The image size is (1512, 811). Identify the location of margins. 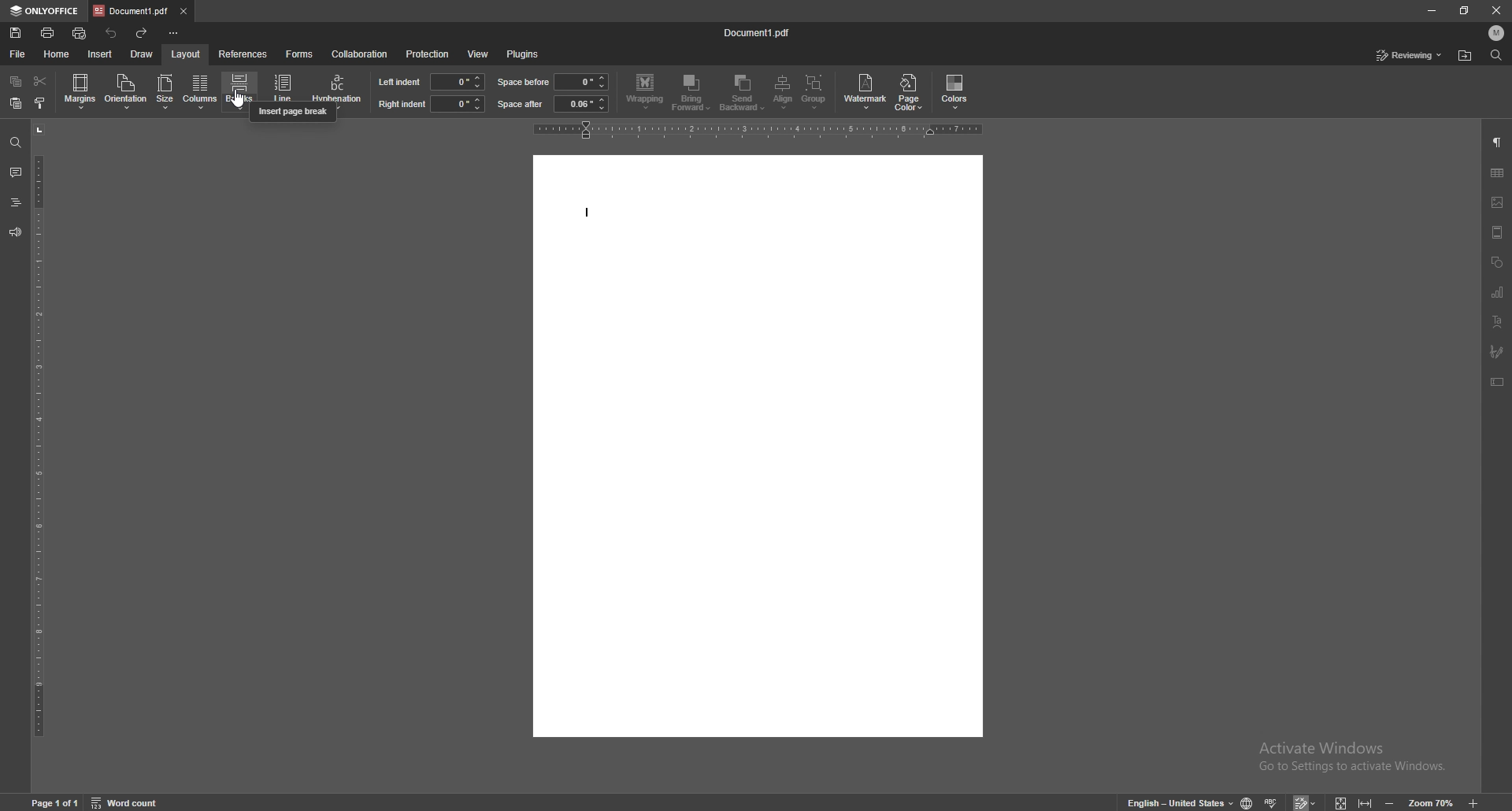
(82, 91).